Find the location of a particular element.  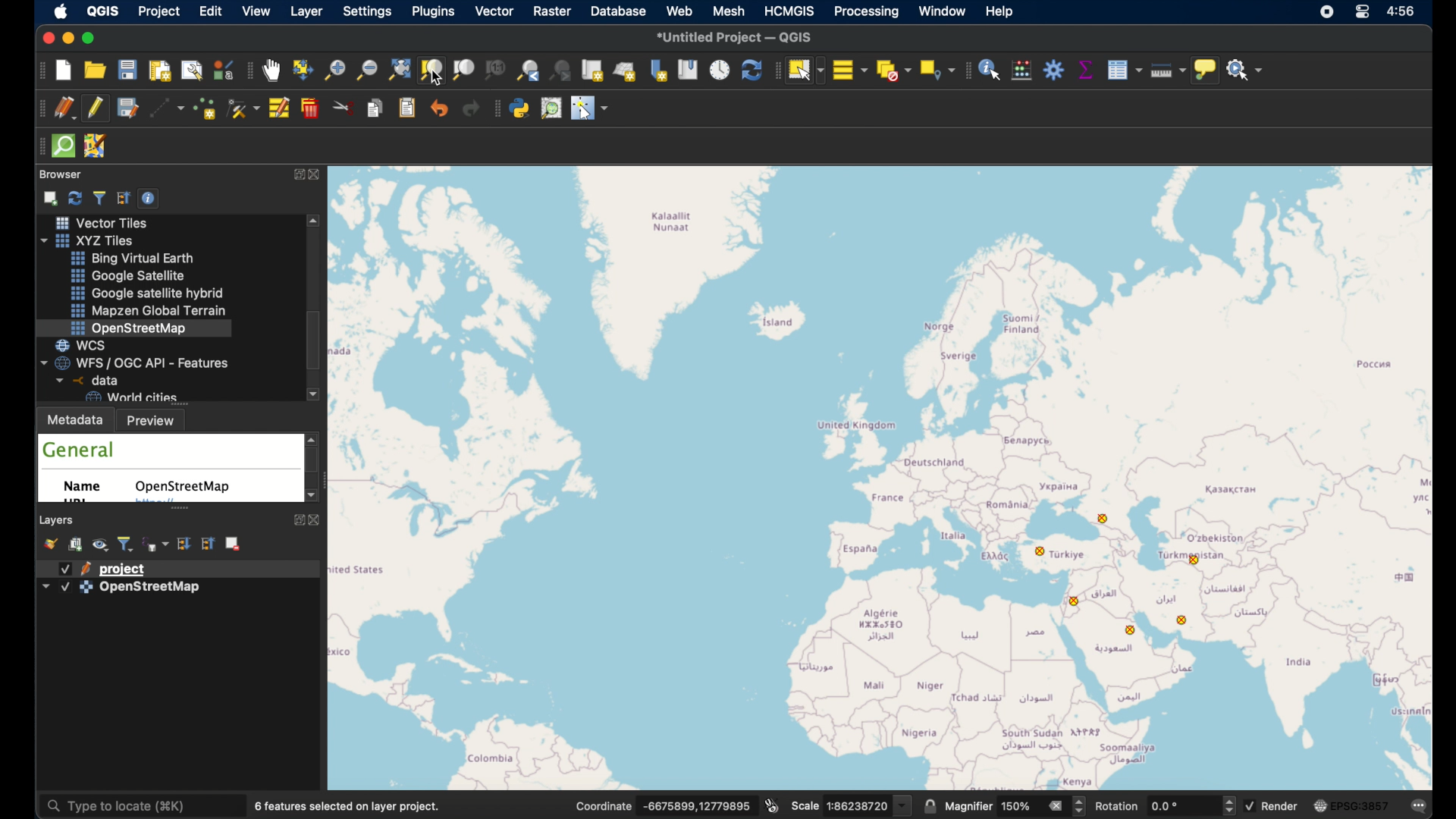

drag handle is located at coordinates (775, 70).